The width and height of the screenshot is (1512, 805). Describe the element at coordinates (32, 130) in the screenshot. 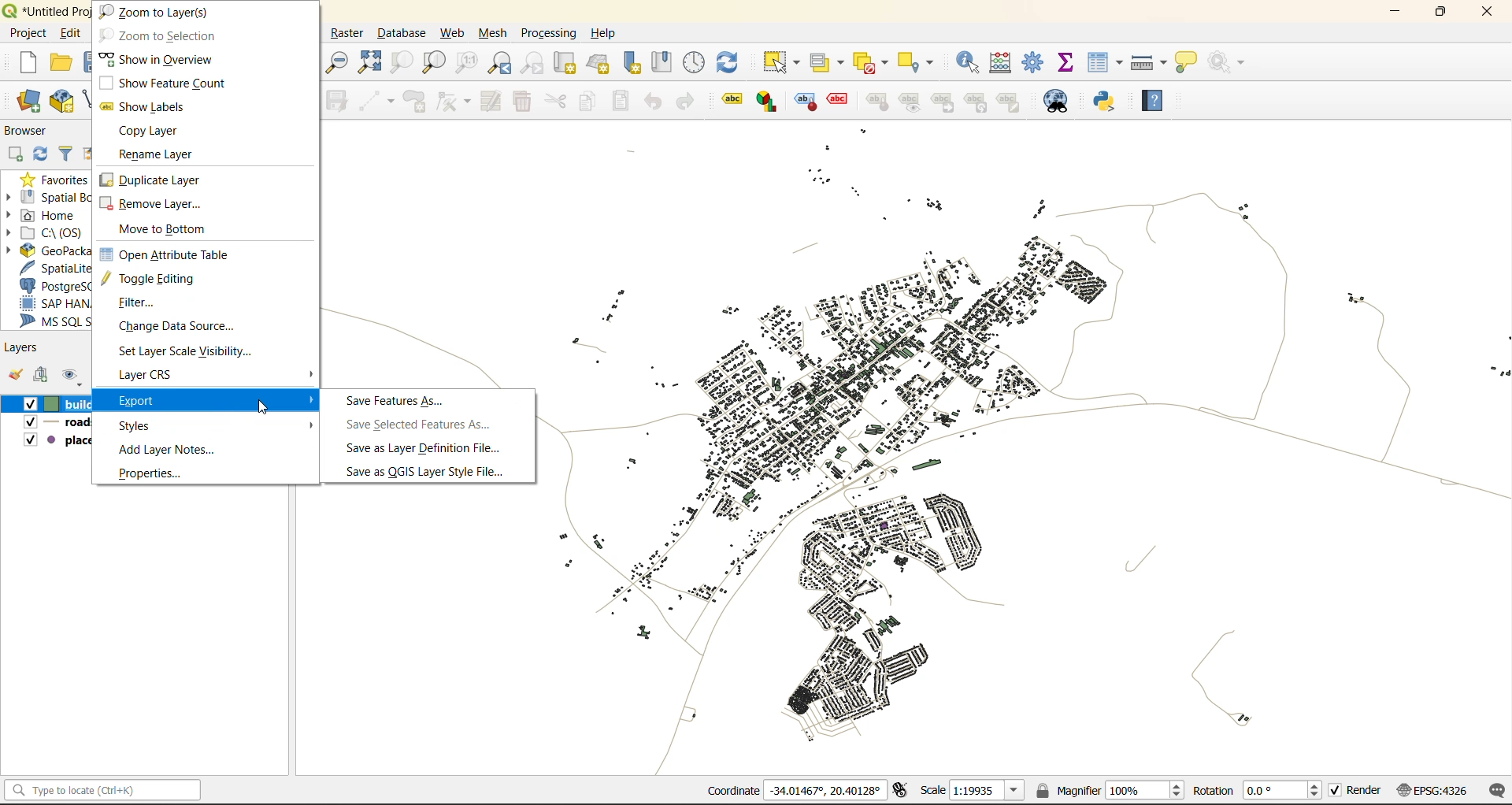

I see `browser` at that location.